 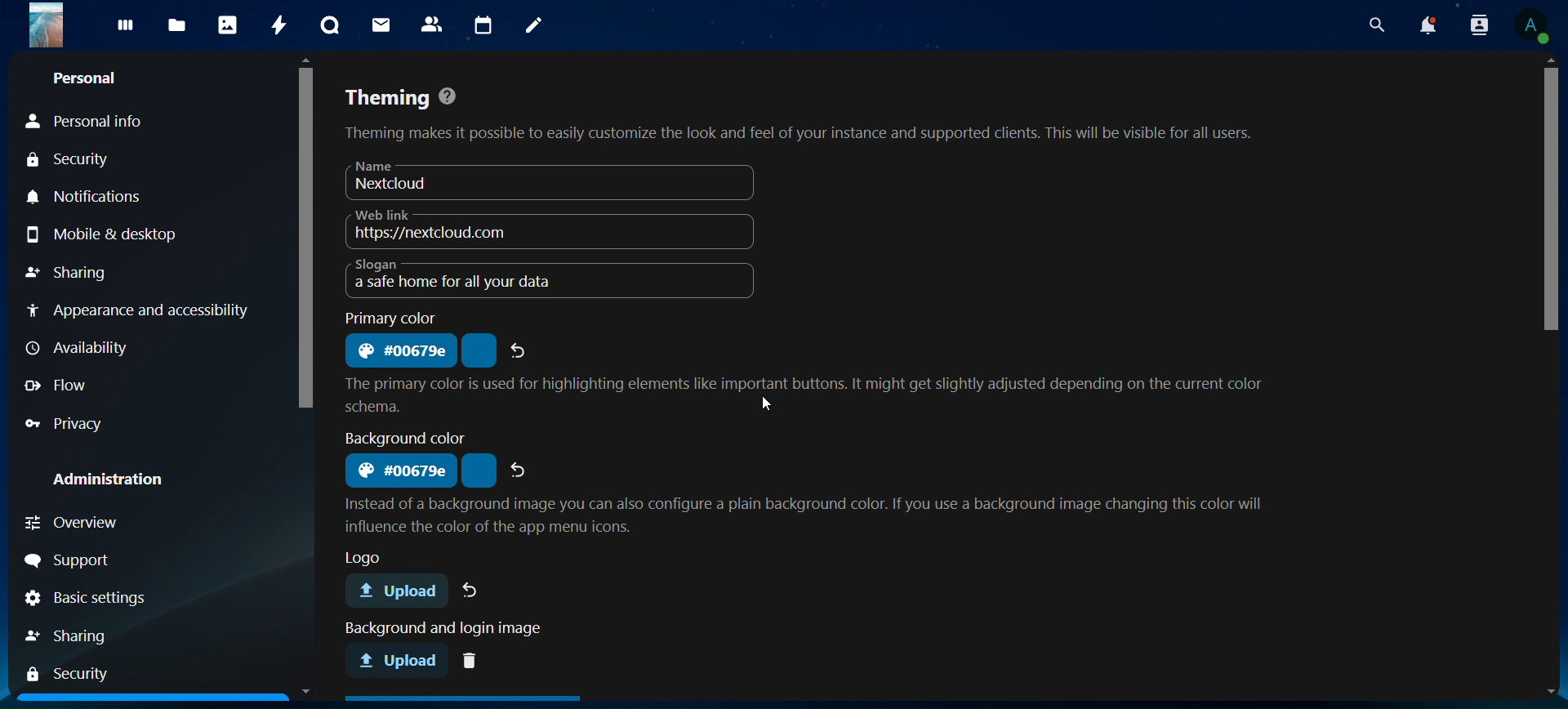 I want to click on photos, so click(x=227, y=25).